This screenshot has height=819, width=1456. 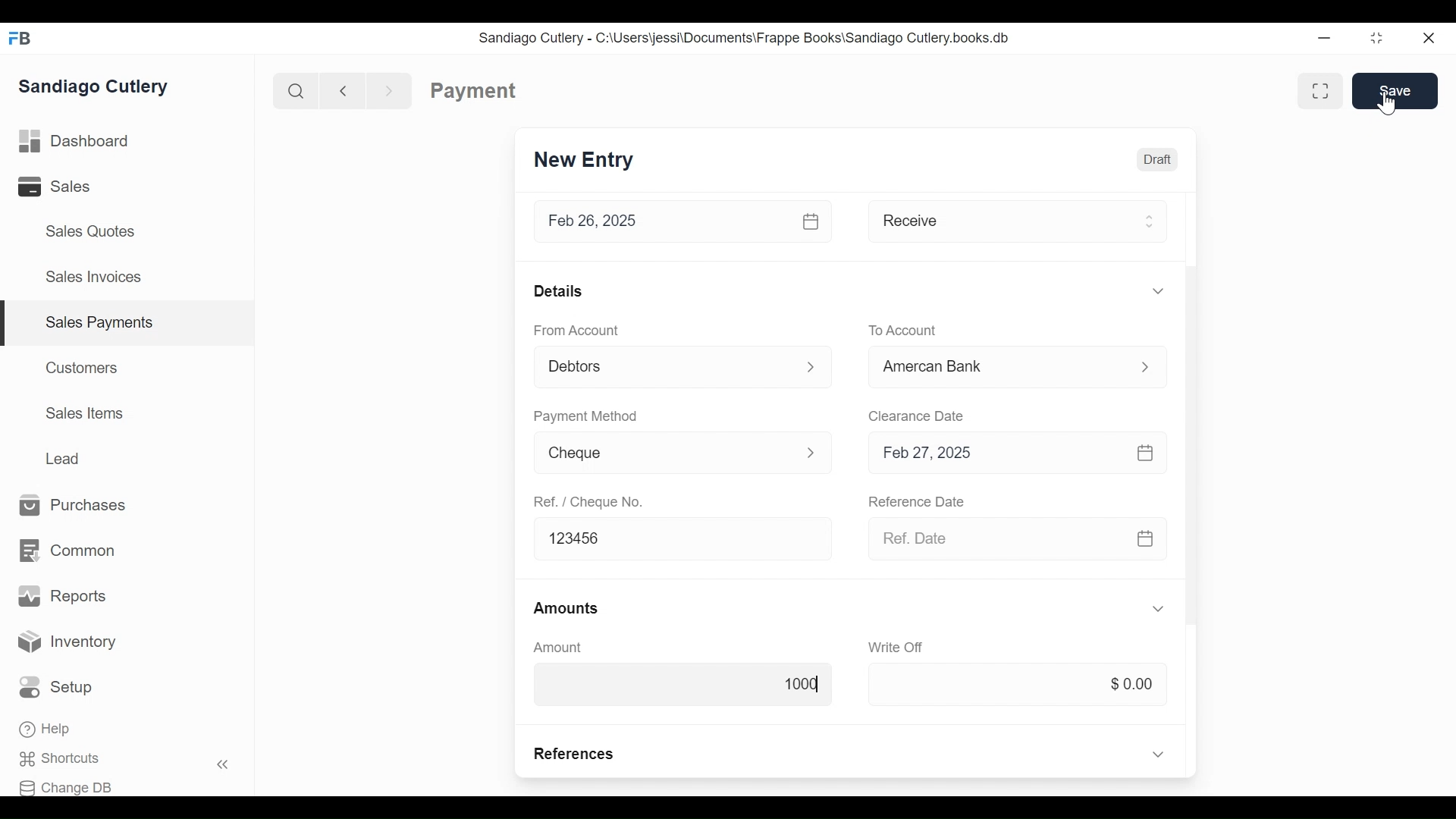 I want to click on Shortcuts, so click(x=69, y=759).